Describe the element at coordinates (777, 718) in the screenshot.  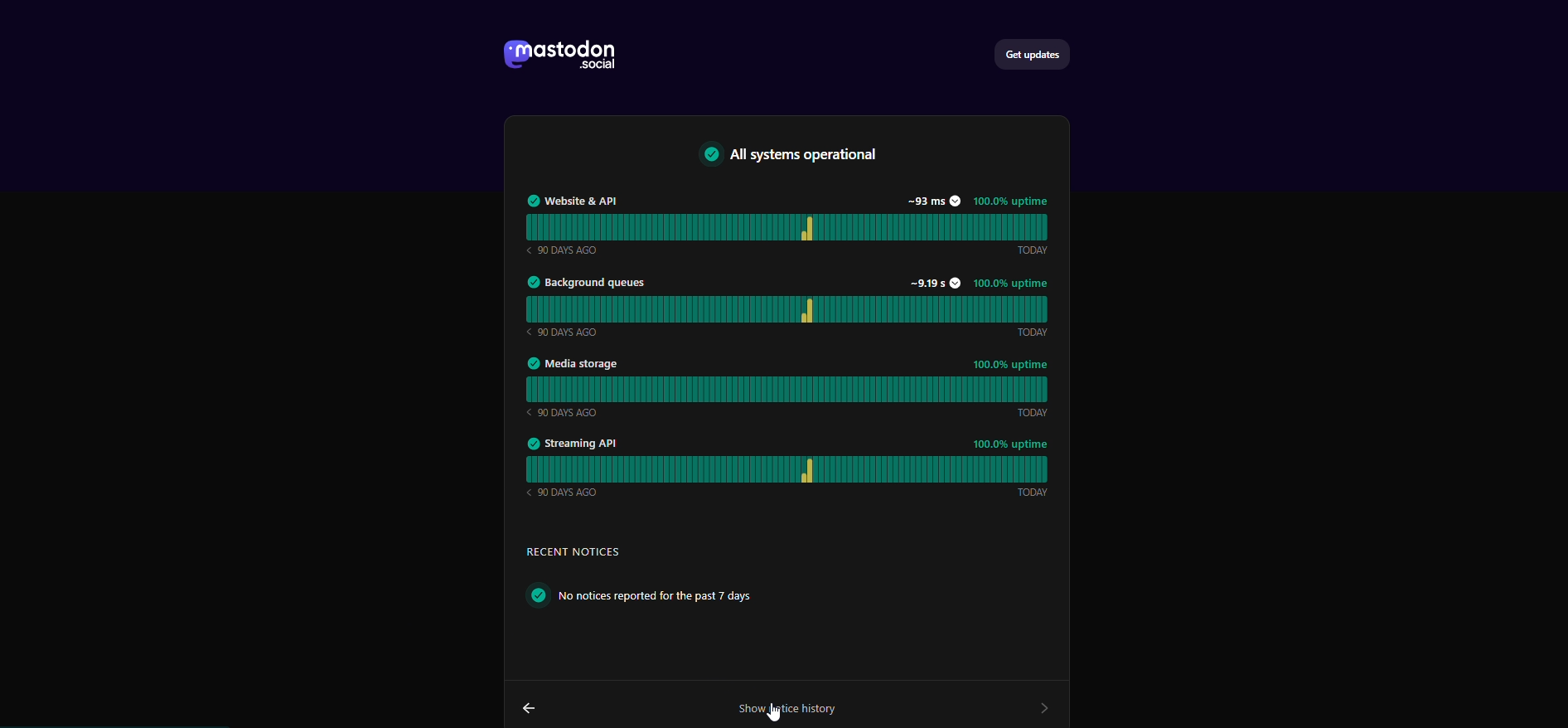
I see `cursor` at that location.